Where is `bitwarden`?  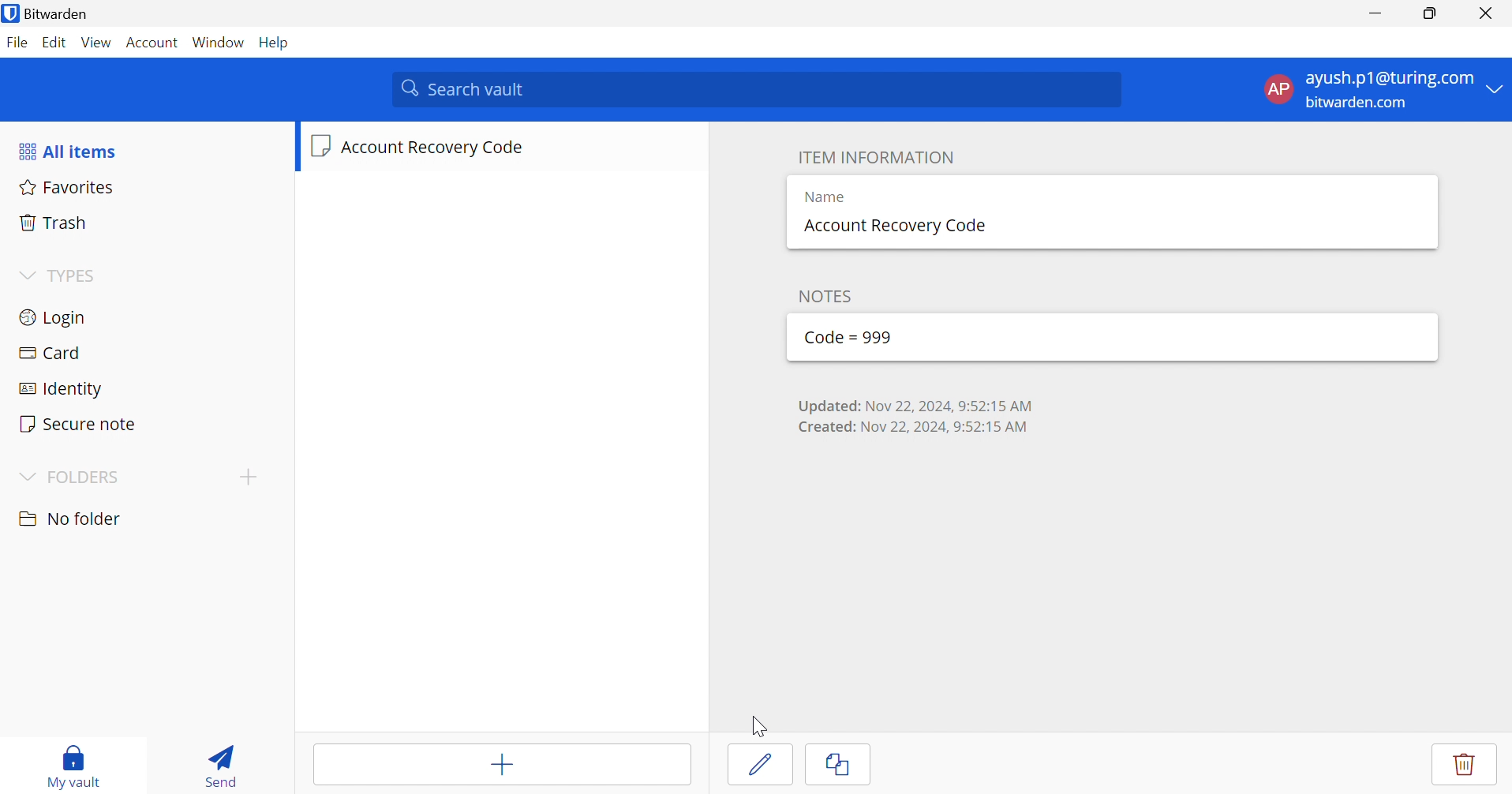
bitwarden is located at coordinates (66, 13).